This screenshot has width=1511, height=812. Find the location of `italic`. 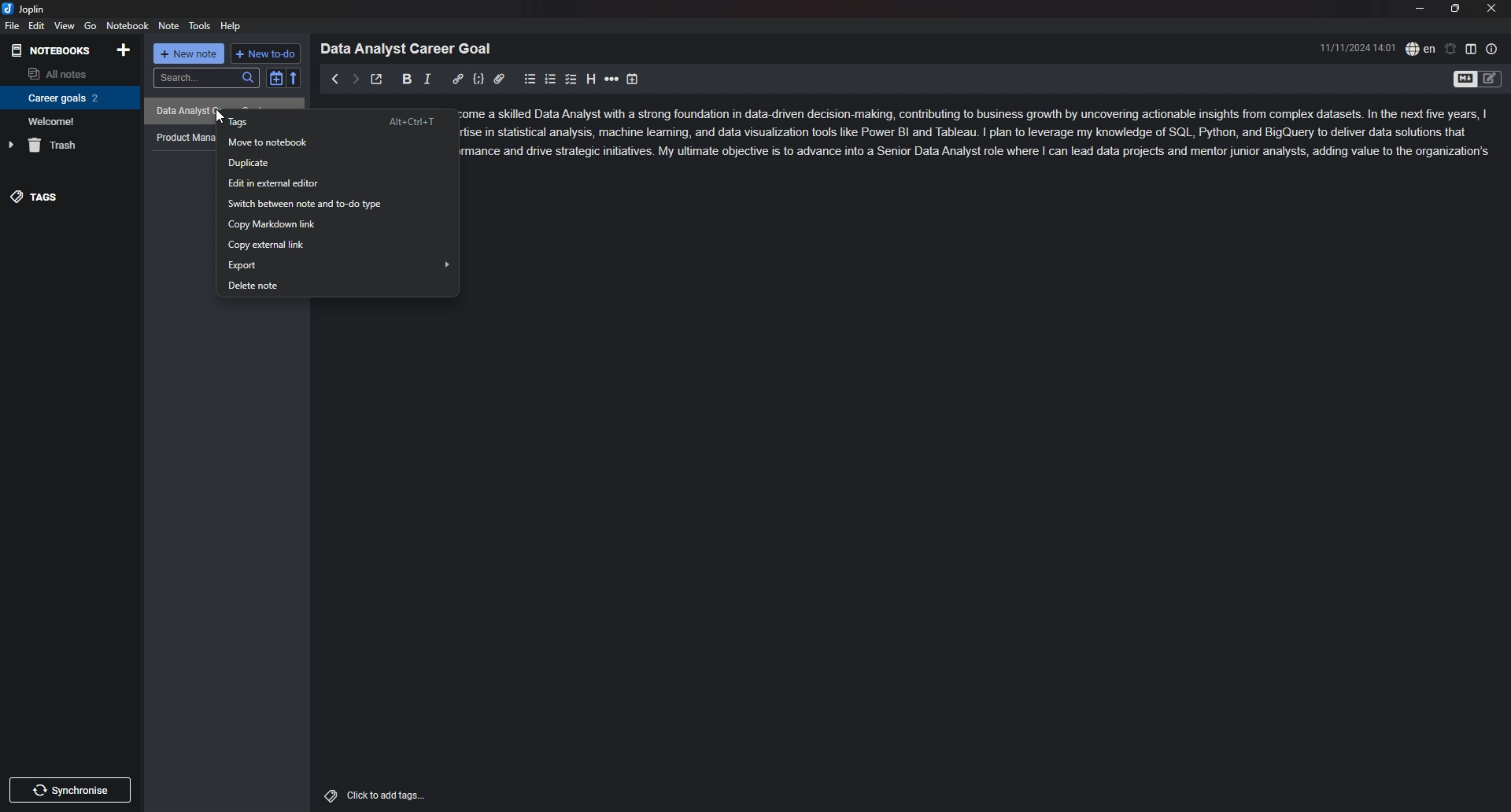

italic is located at coordinates (427, 79).